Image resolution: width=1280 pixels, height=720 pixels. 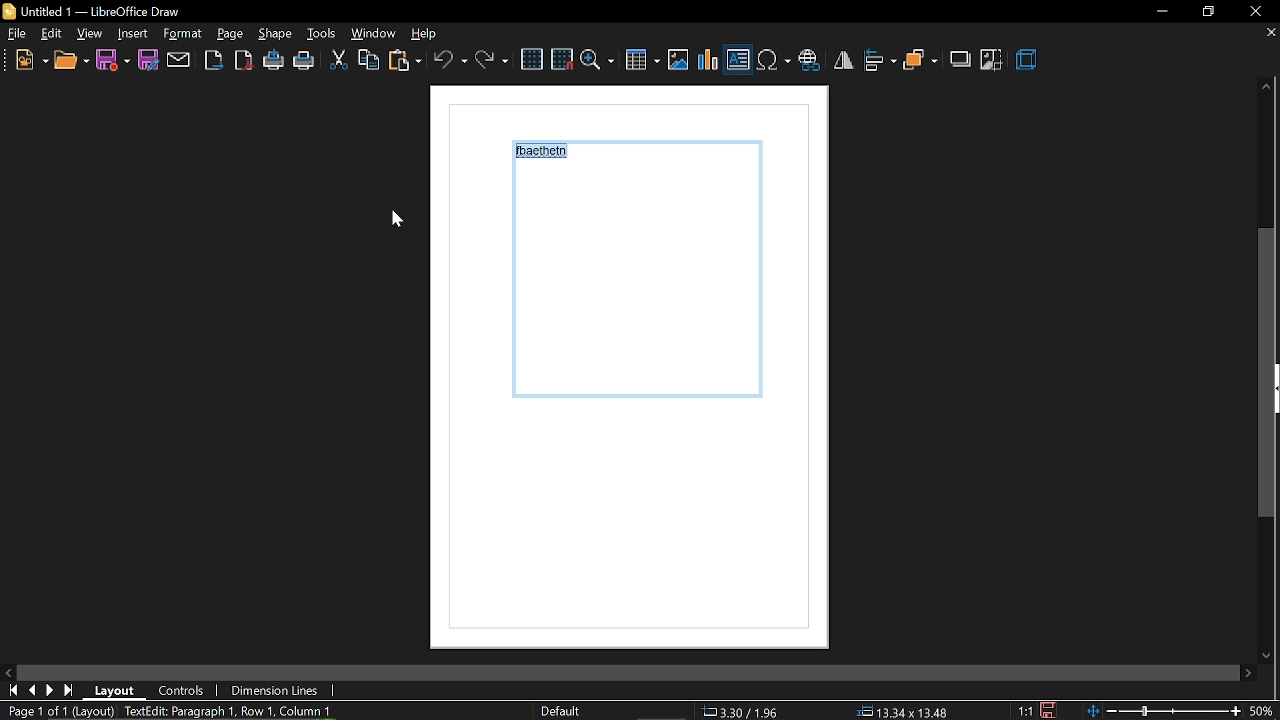 What do you see at coordinates (322, 33) in the screenshot?
I see `tools` at bounding box center [322, 33].